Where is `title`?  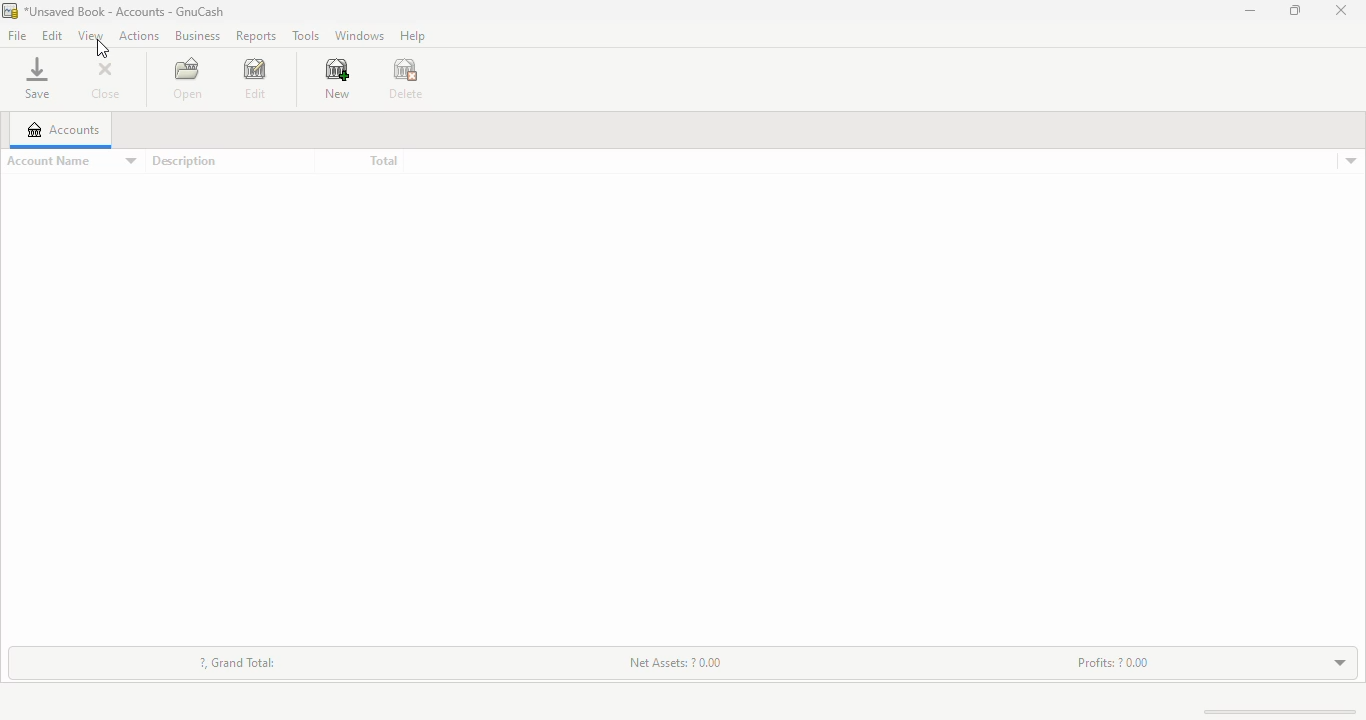 title is located at coordinates (124, 11).